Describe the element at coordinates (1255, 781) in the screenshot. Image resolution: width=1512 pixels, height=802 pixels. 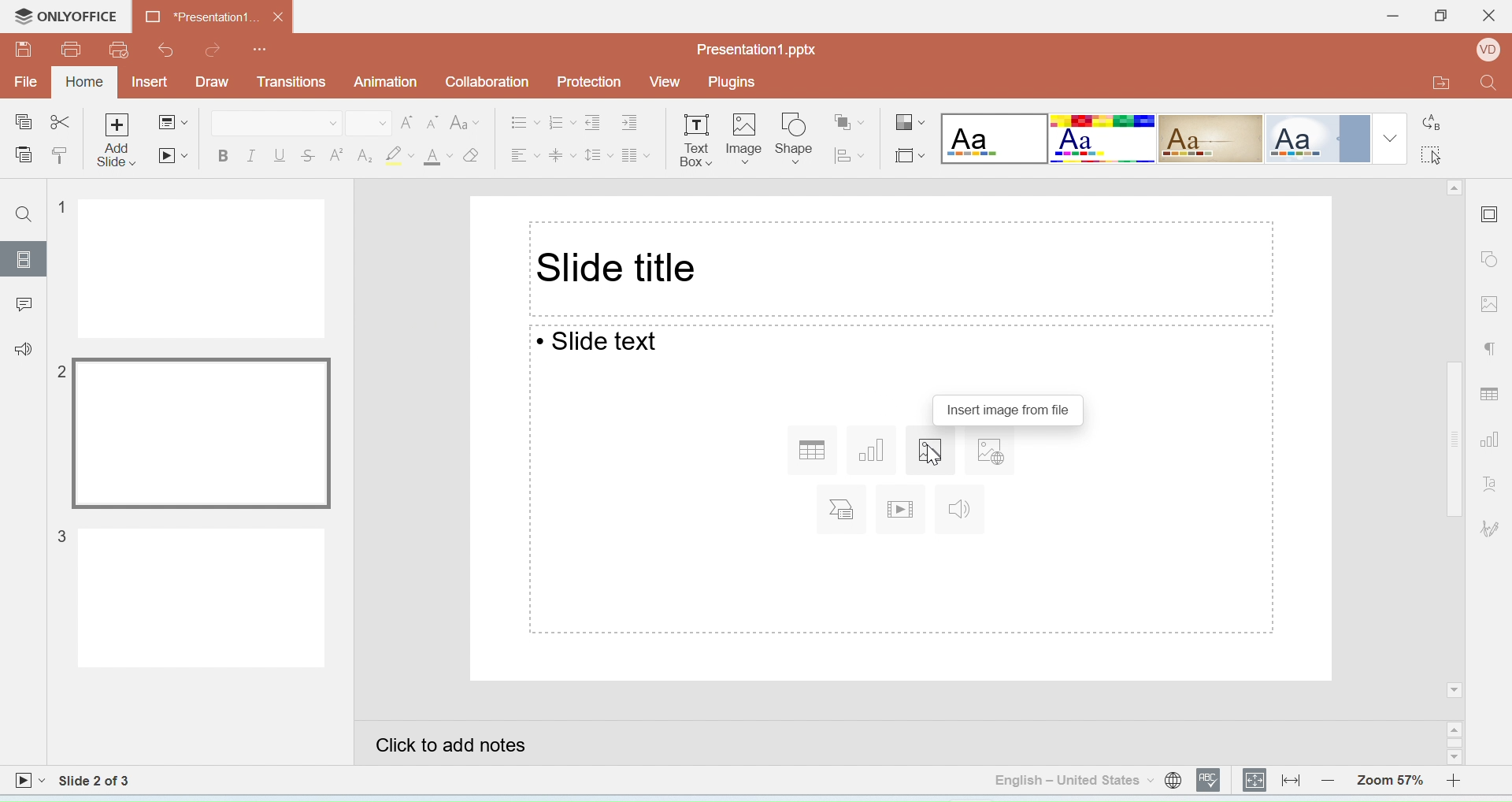
I see `Fit to slide` at that location.